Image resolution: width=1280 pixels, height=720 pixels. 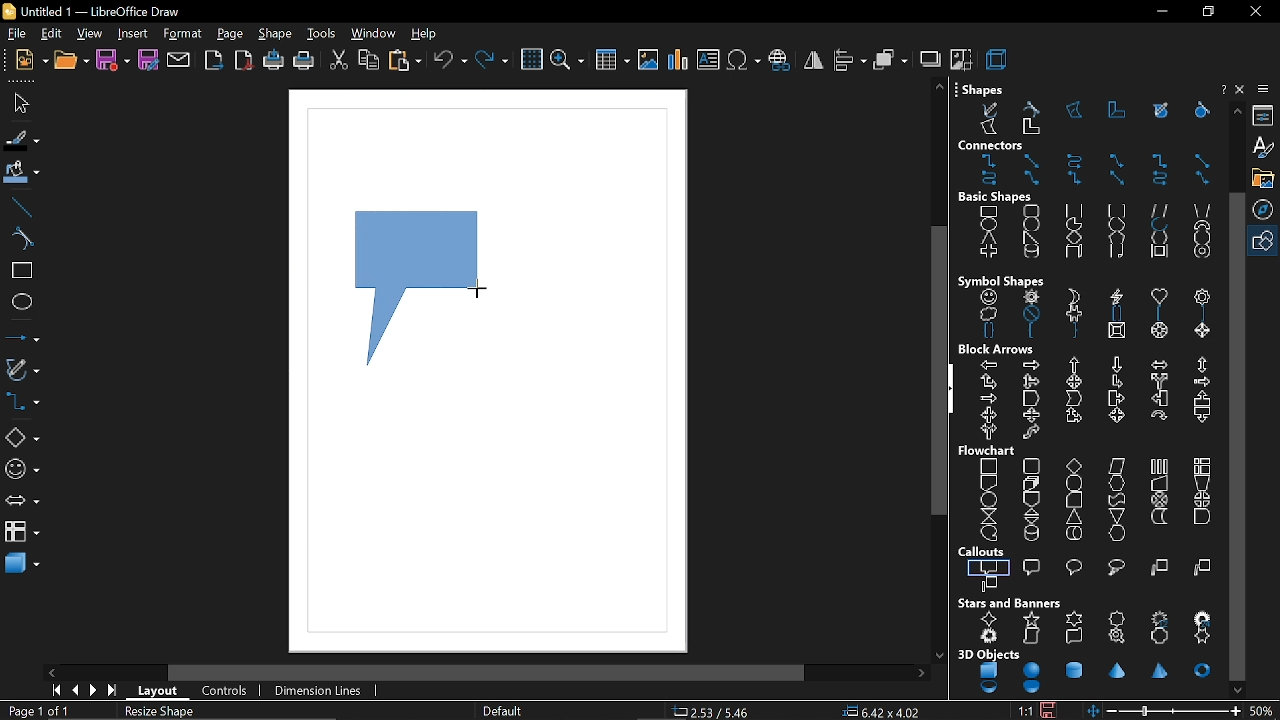 What do you see at coordinates (1118, 110) in the screenshot?
I see `polygon 45` at bounding box center [1118, 110].